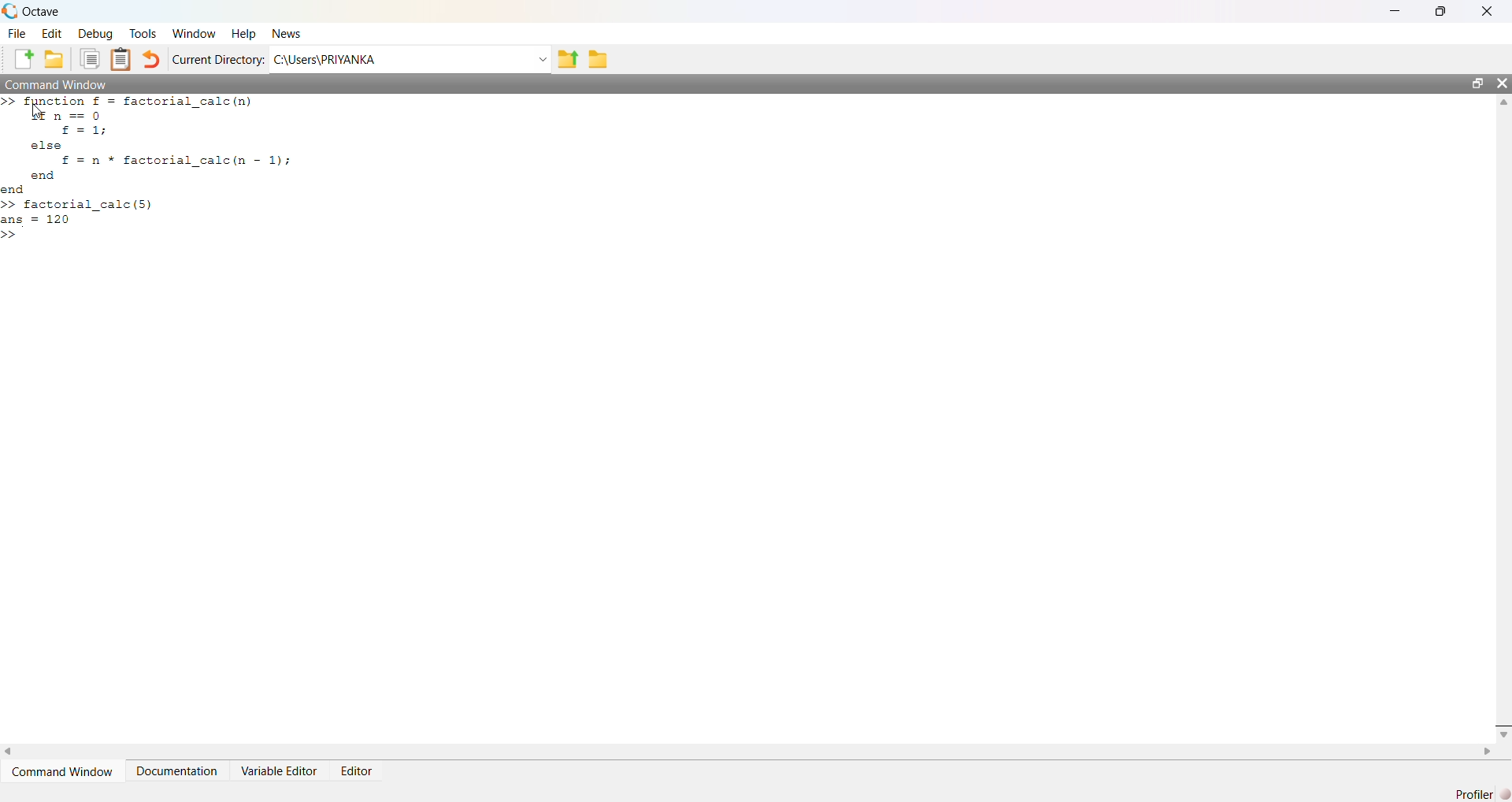 The image size is (1512, 802). What do you see at coordinates (1397, 9) in the screenshot?
I see `minimise` at bounding box center [1397, 9].